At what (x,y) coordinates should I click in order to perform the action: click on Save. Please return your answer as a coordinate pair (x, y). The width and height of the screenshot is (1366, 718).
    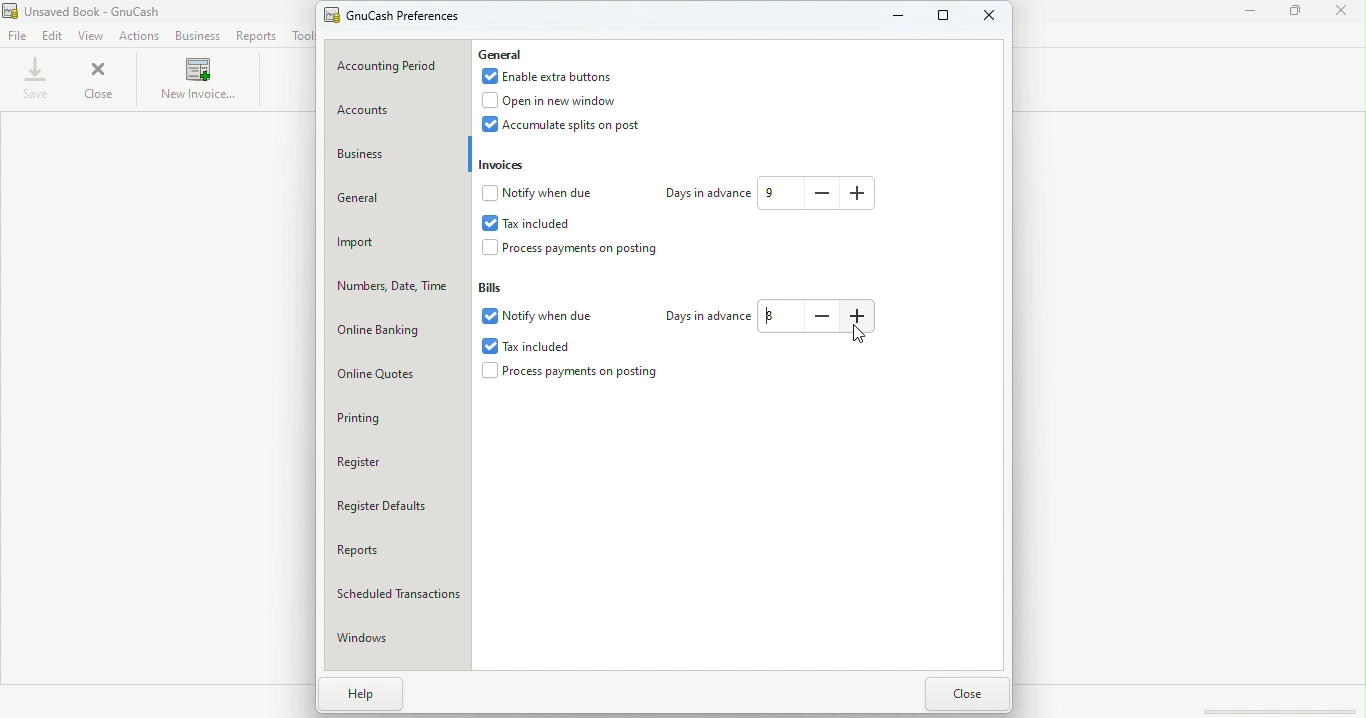
    Looking at the image, I should click on (36, 79).